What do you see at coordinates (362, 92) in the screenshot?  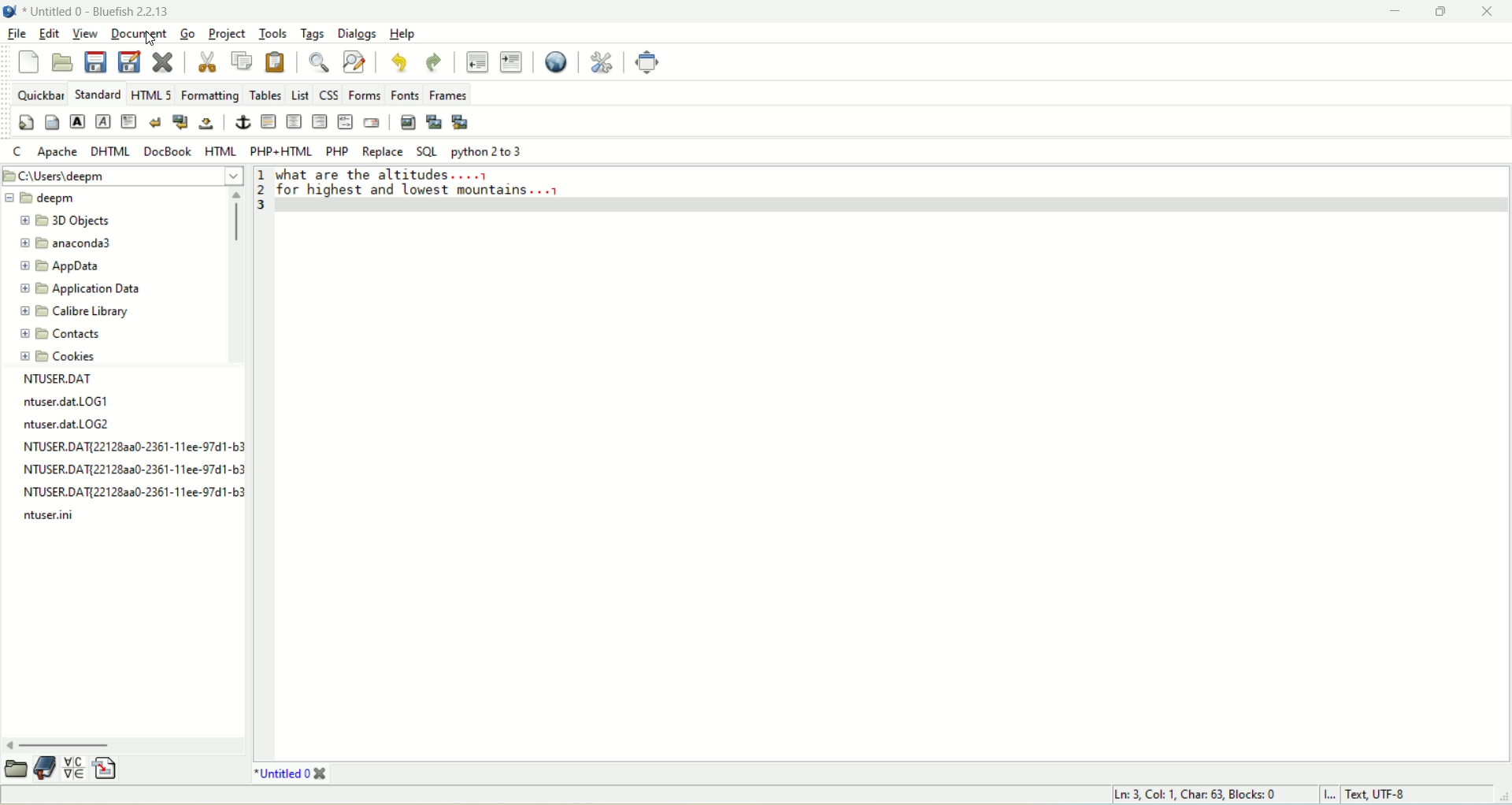 I see `forms` at bounding box center [362, 92].